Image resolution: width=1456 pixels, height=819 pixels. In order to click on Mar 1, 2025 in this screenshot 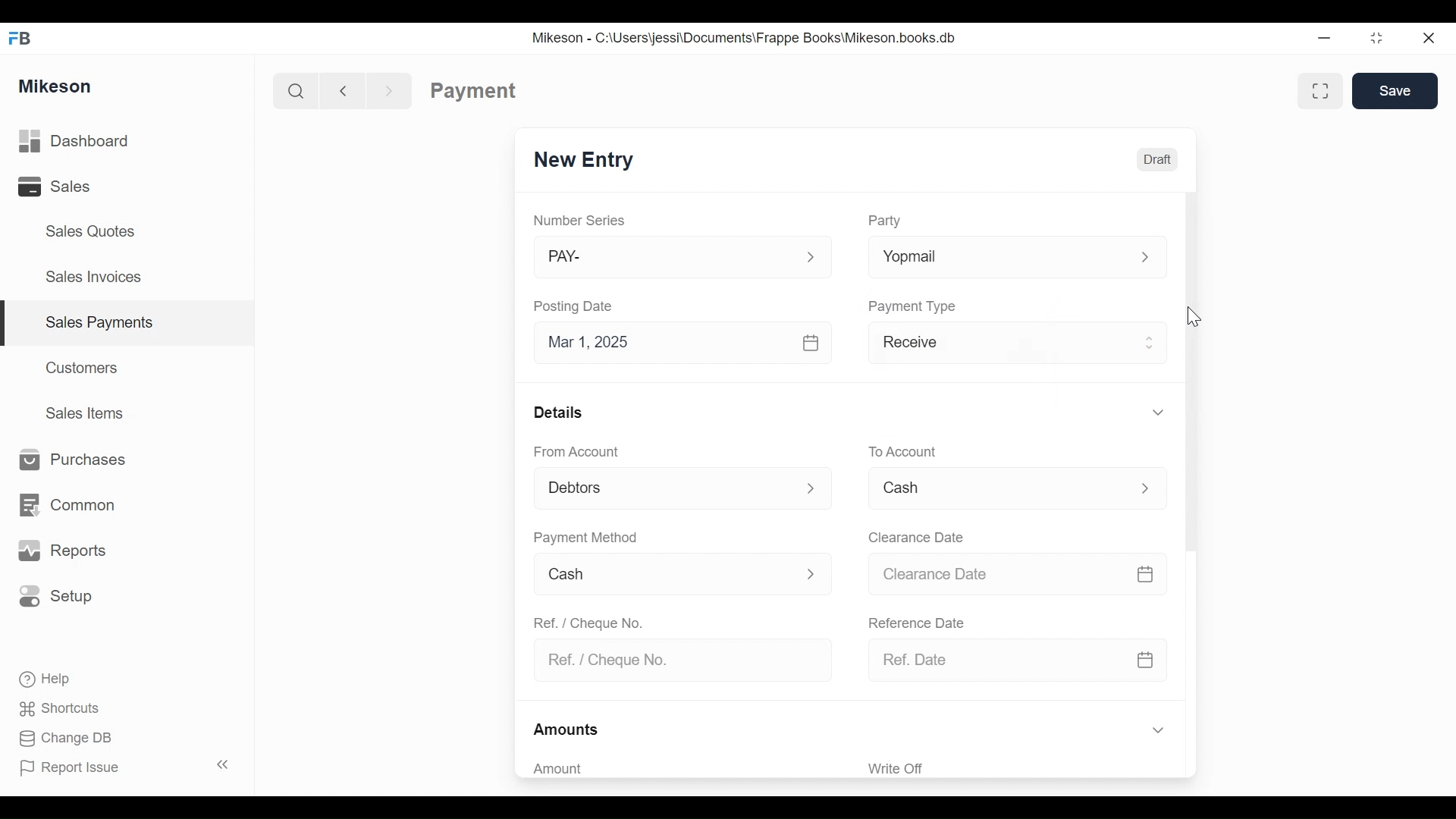, I will do `click(692, 345)`.